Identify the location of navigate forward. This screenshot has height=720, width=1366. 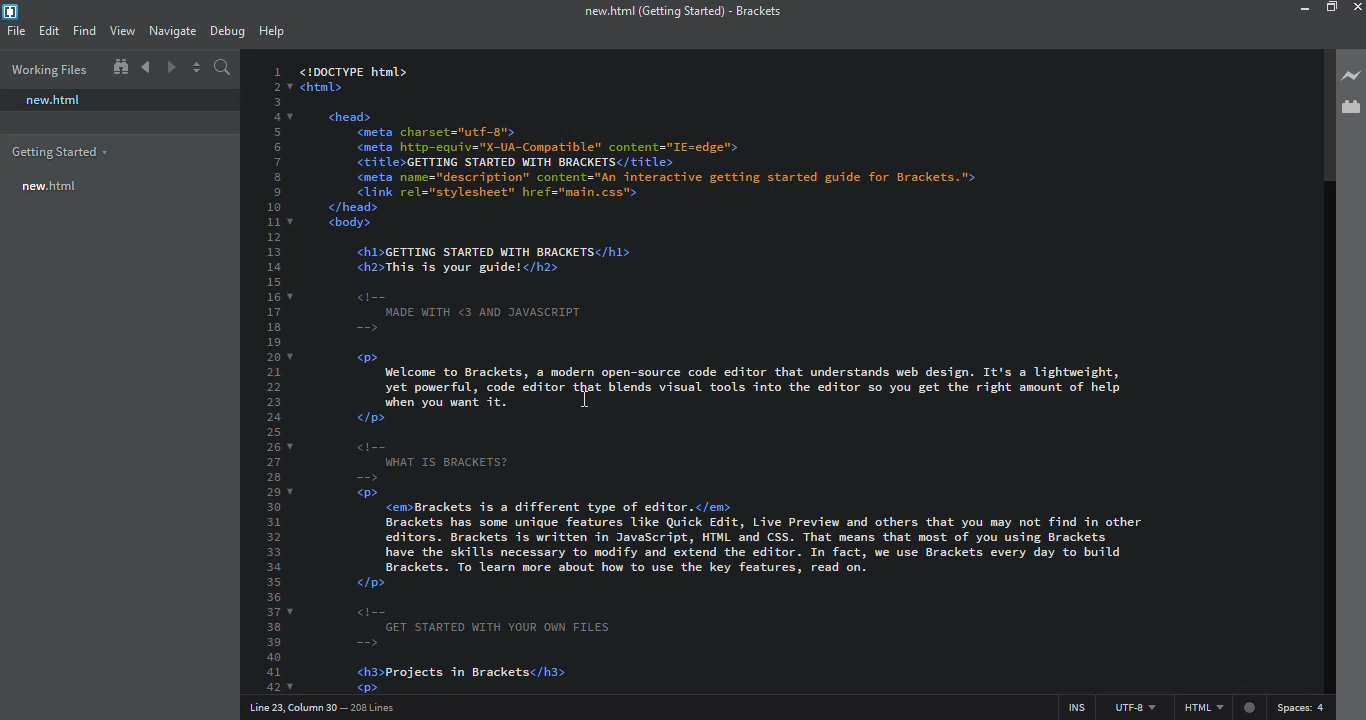
(173, 67).